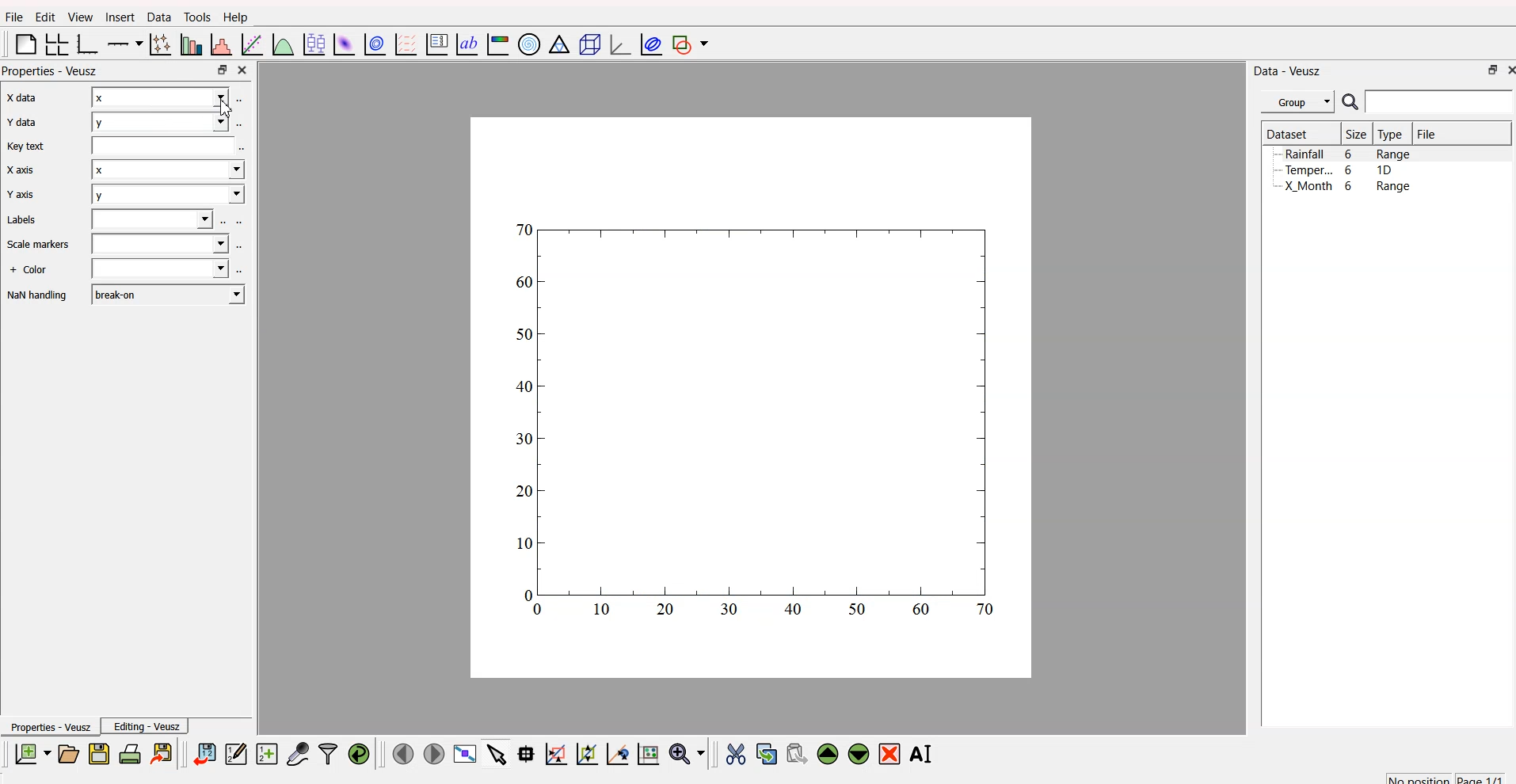  I want to click on | Size, so click(1354, 135).